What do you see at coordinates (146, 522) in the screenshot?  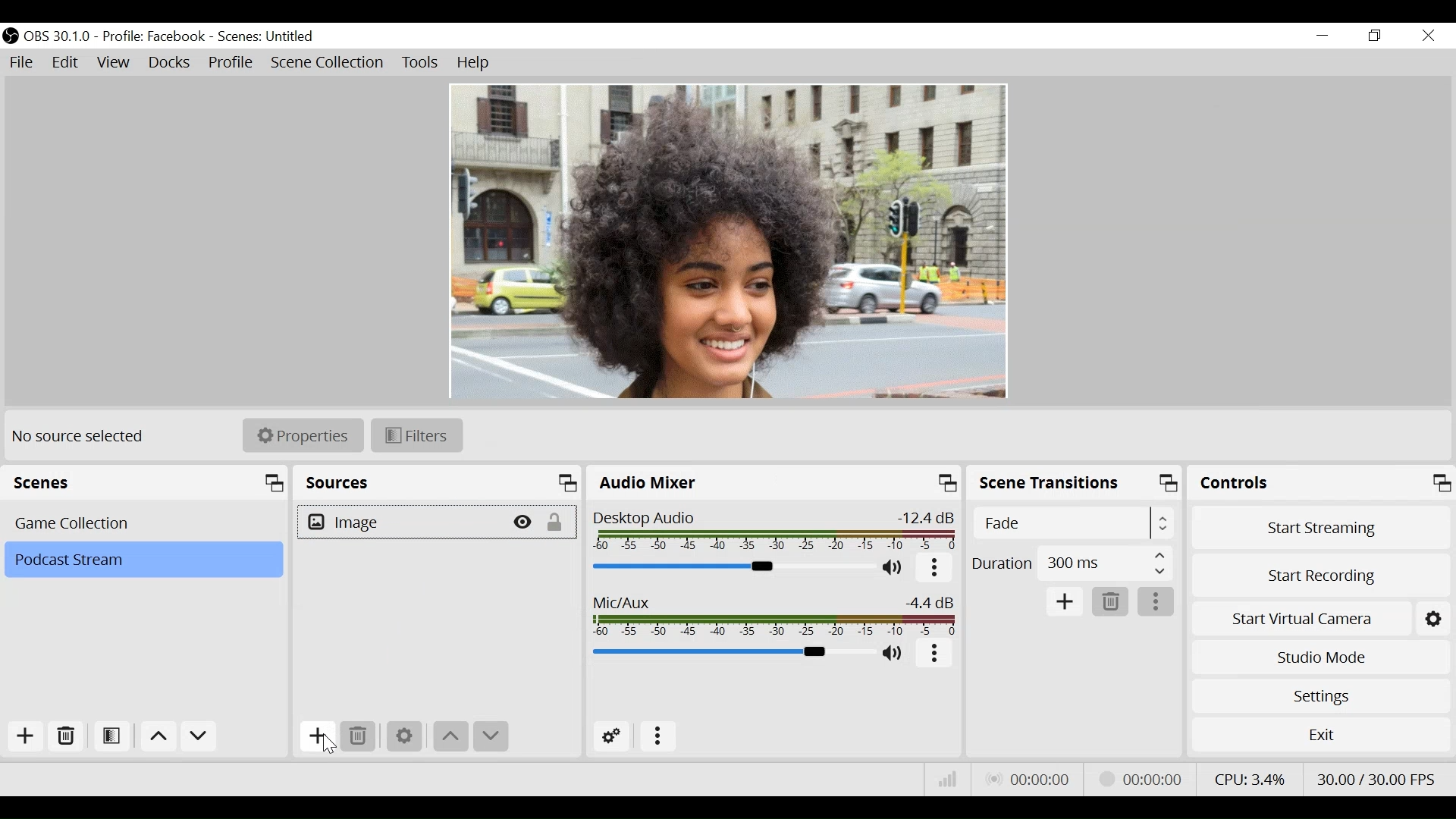 I see `Scene` at bounding box center [146, 522].